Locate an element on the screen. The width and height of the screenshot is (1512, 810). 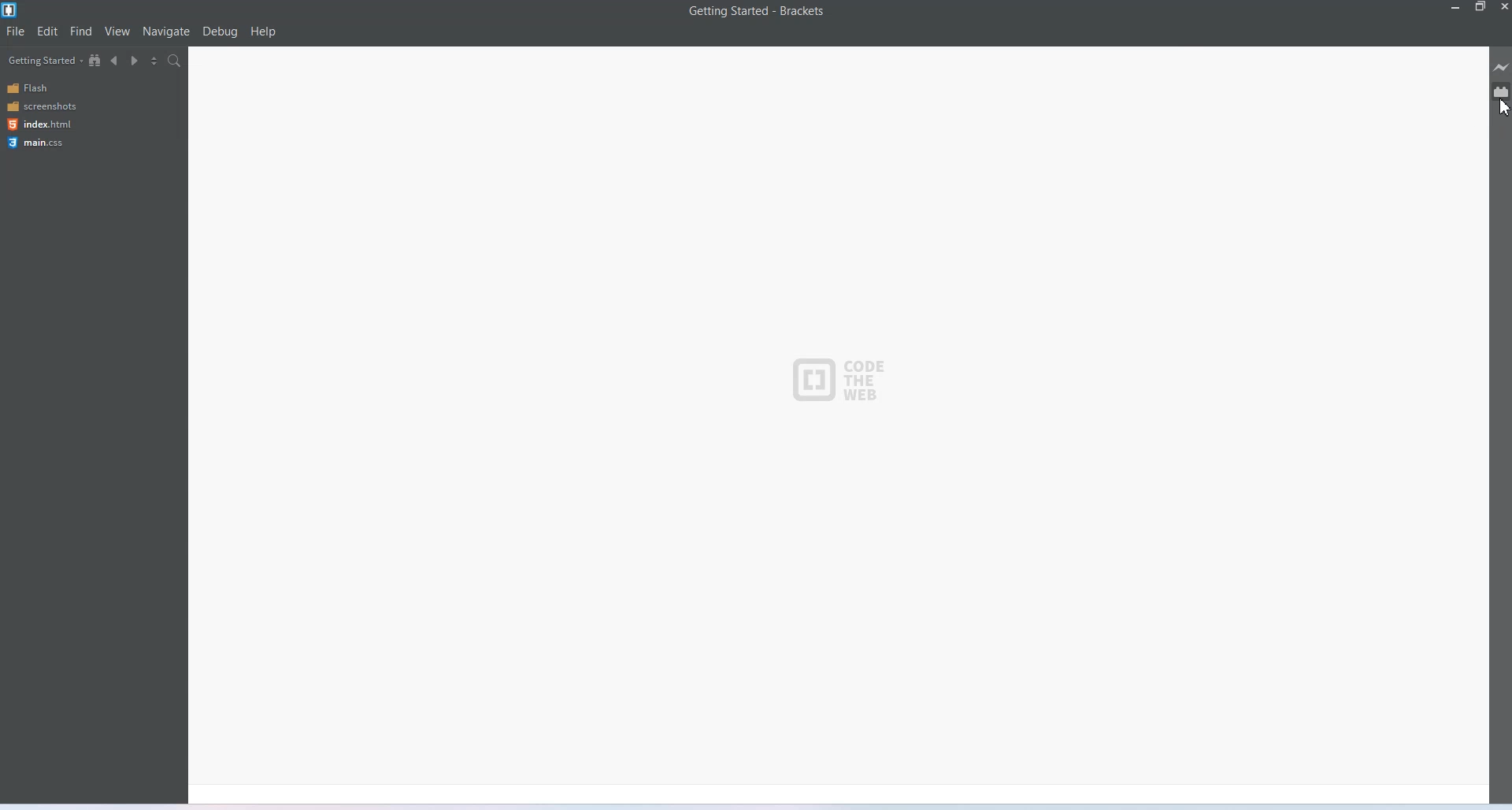
Extension manager is located at coordinates (1501, 87).